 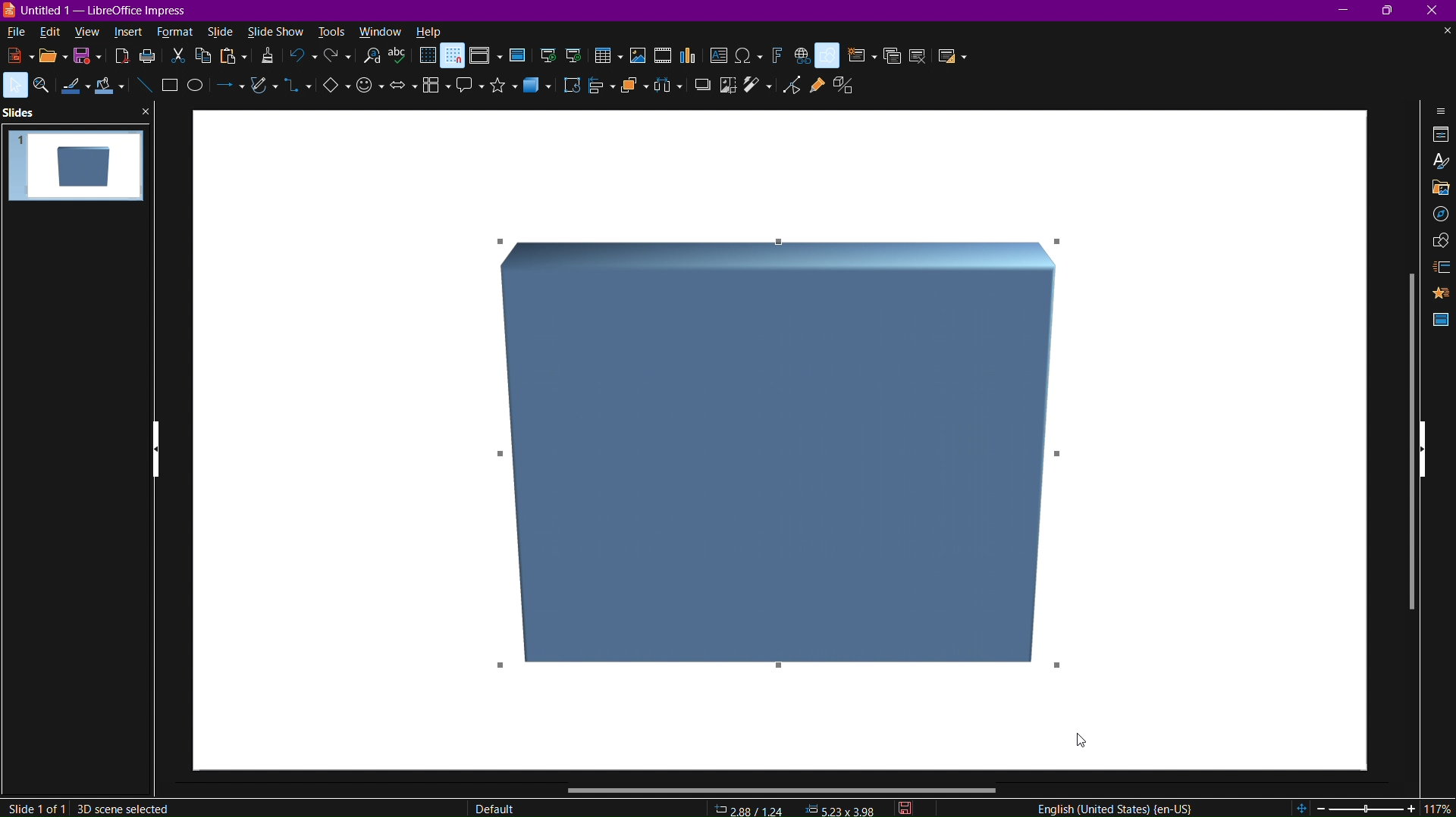 What do you see at coordinates (1437, 218) in the screenshot?
I see `Navigator` at bounding box center [1437, 218].